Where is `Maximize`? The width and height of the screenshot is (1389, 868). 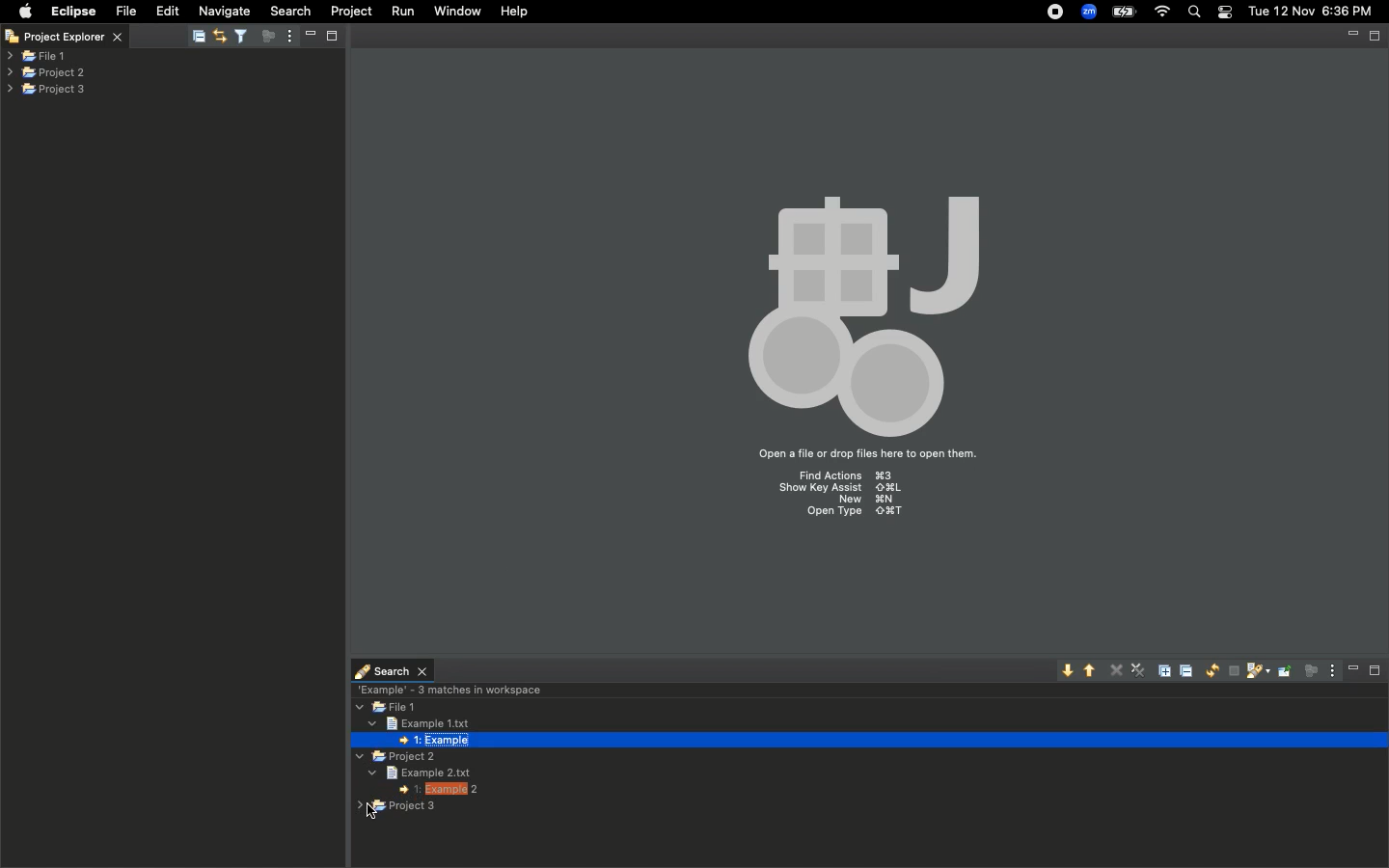
Maximize is located at coordinates (1376, 670).